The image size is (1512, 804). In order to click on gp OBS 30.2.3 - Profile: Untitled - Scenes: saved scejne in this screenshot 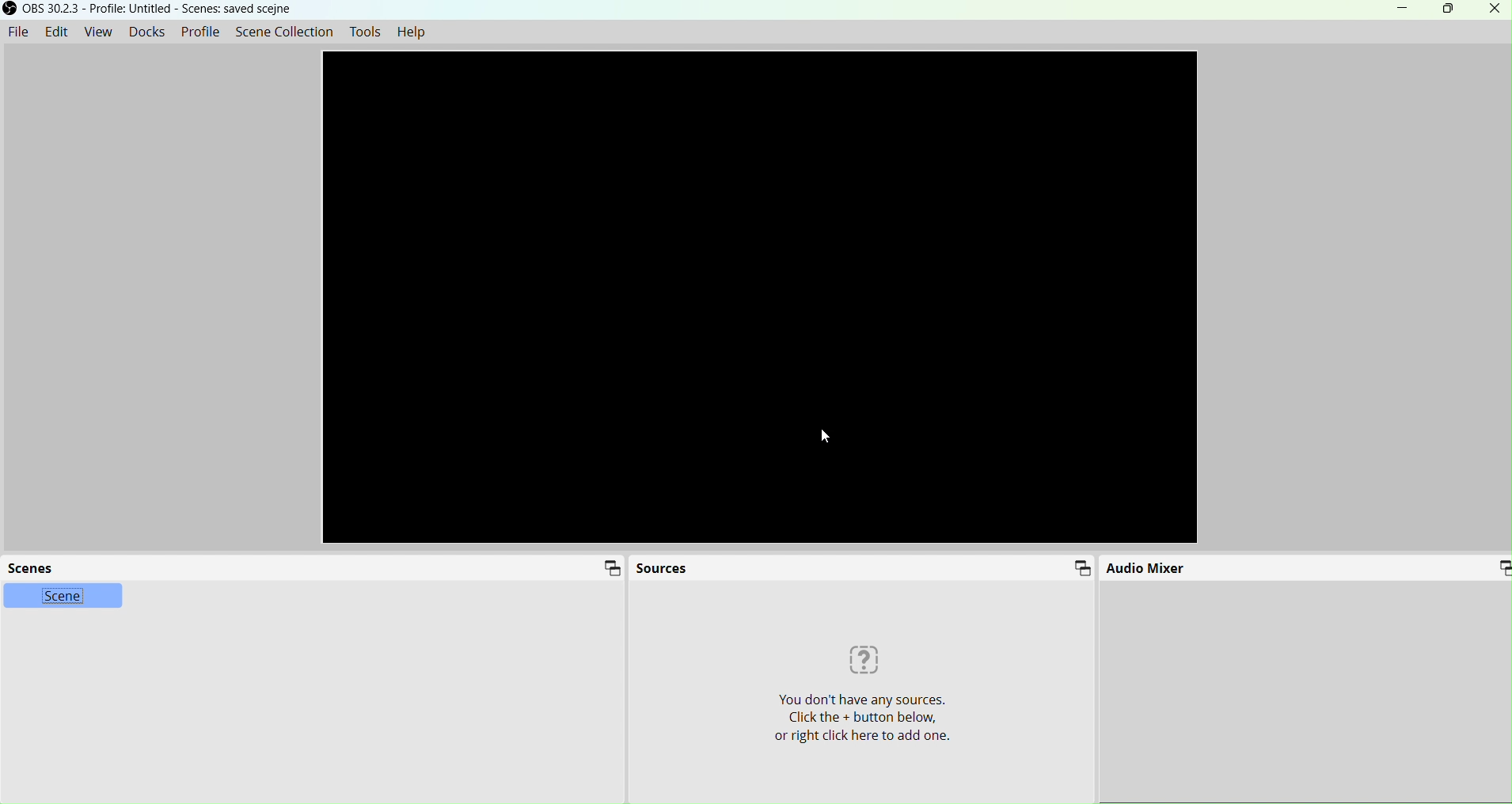, I will do `click(154, 9)`.